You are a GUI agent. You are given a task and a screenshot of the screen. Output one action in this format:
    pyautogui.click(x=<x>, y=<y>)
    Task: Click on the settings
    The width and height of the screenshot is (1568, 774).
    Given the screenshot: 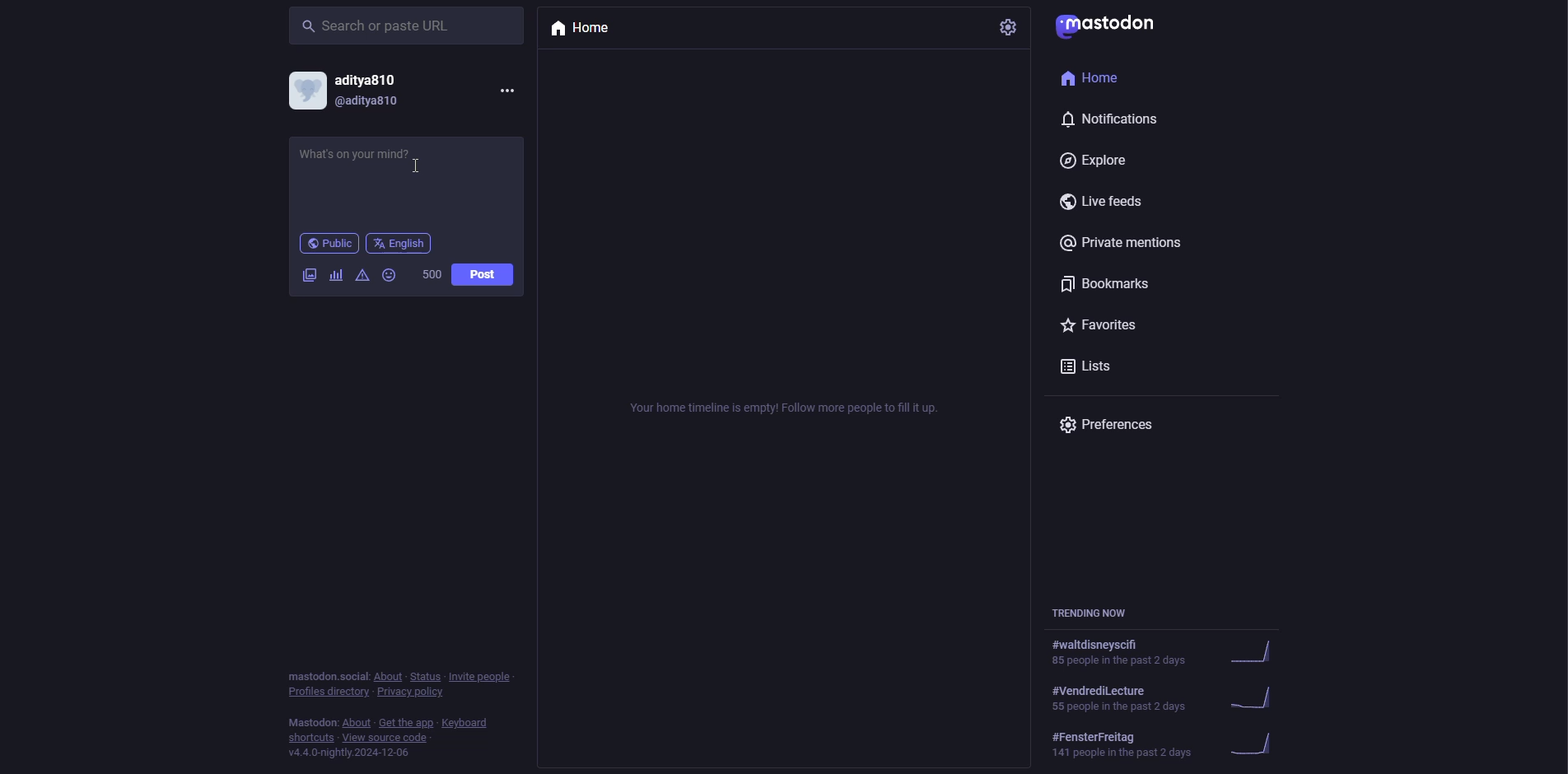 What is the action you would take?
    pyautogui.click(x=1010, y=30)
    